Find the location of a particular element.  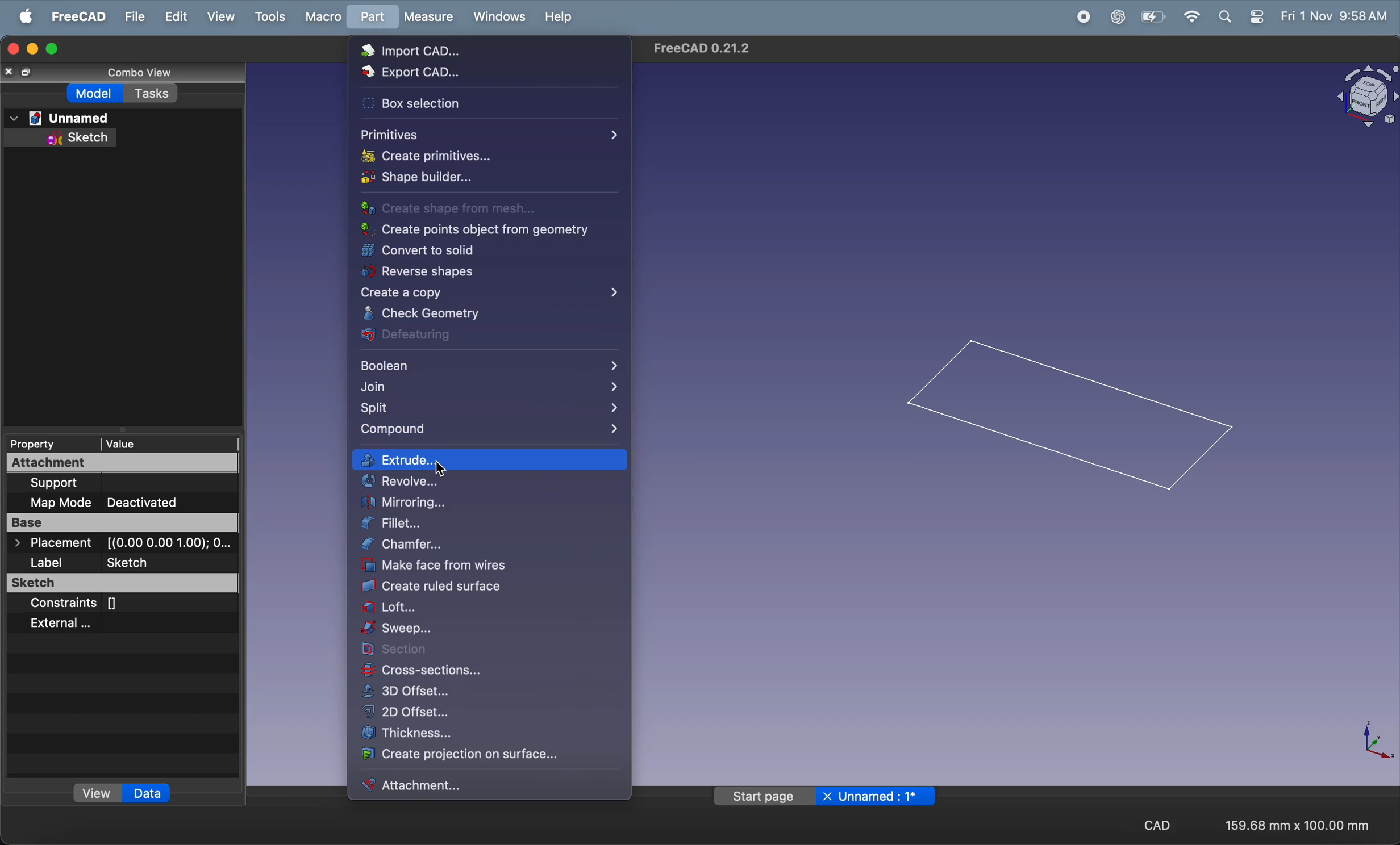

freeca title is located at coordinates (699, 48).